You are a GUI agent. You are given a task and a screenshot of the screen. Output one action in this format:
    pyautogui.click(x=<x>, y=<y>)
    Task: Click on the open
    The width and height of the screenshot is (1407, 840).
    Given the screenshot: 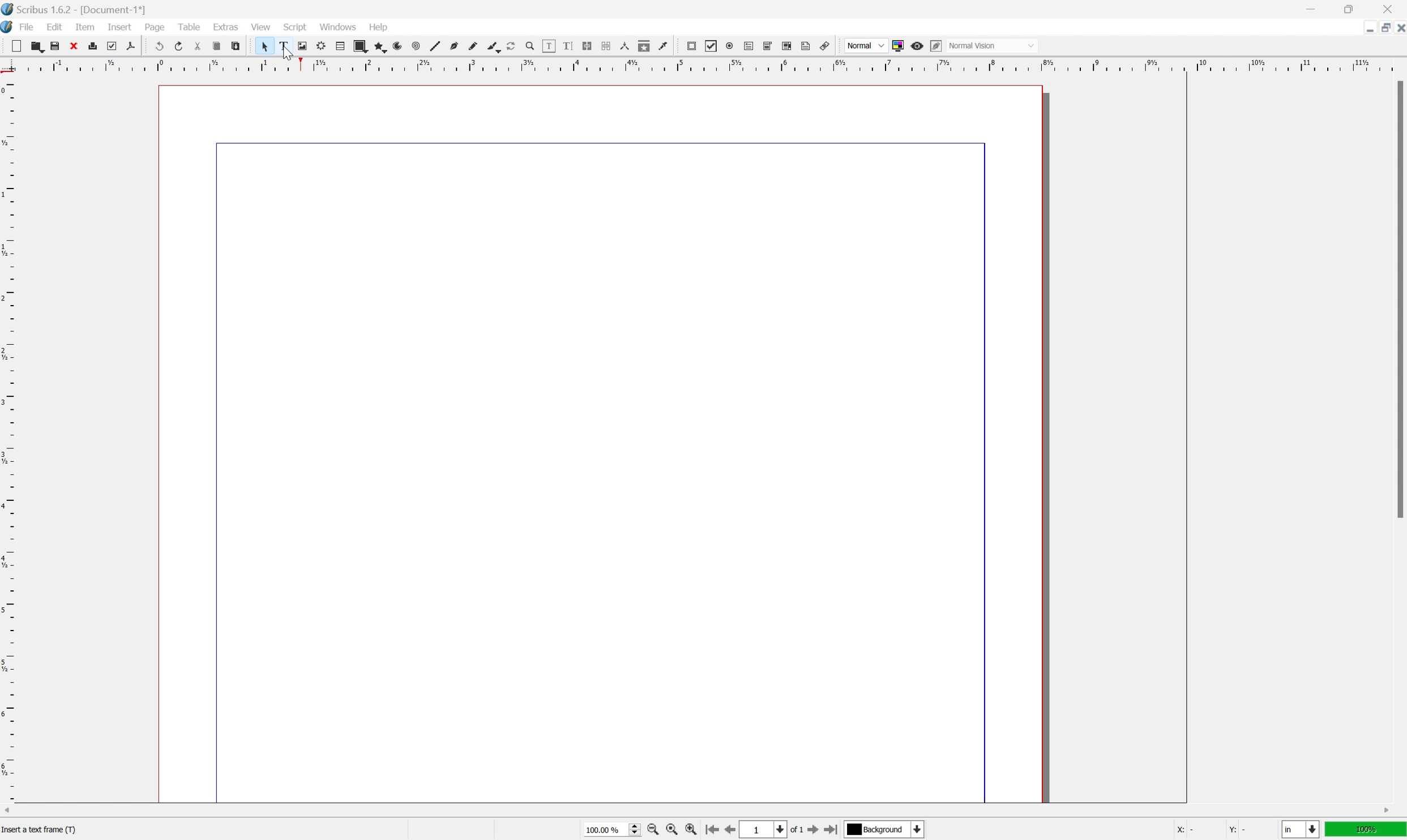 What is the action you would take?
    pyautogui.click(x=39, y=48)
    